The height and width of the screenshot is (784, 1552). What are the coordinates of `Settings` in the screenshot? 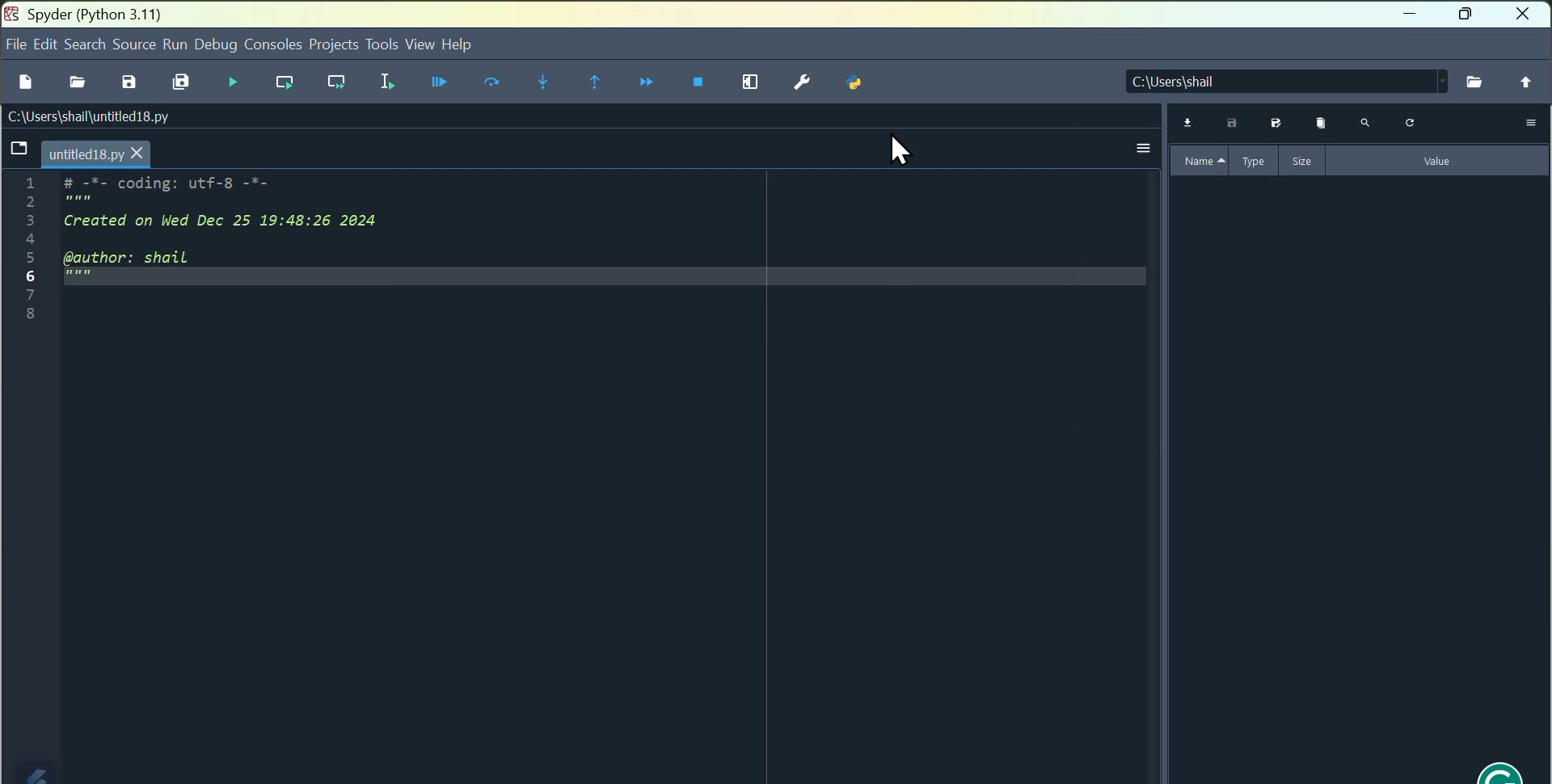 It's located at (796, 86).